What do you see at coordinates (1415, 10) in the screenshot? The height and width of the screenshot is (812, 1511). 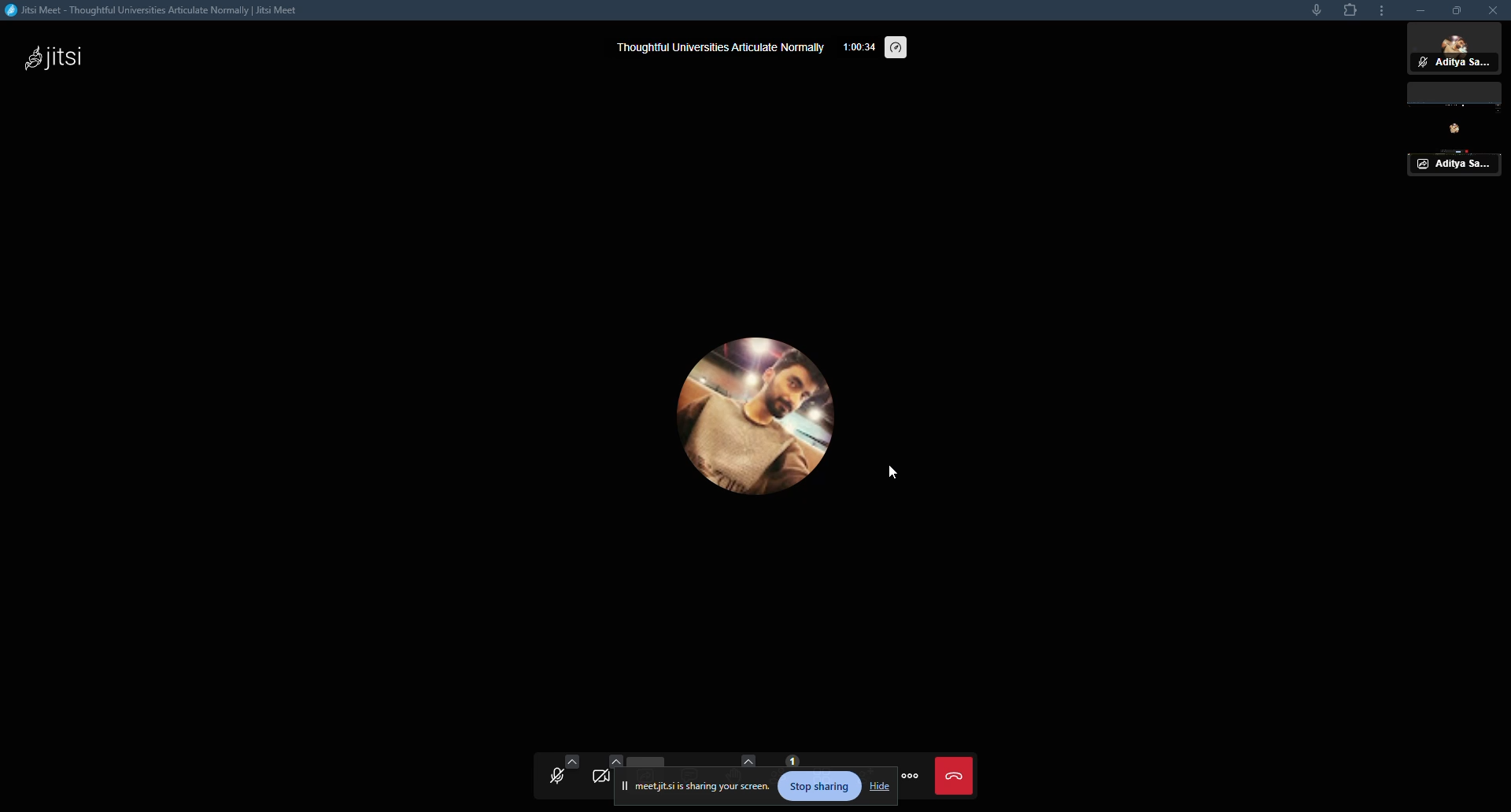 I see `minimize` at bounding box center [1415, 10].